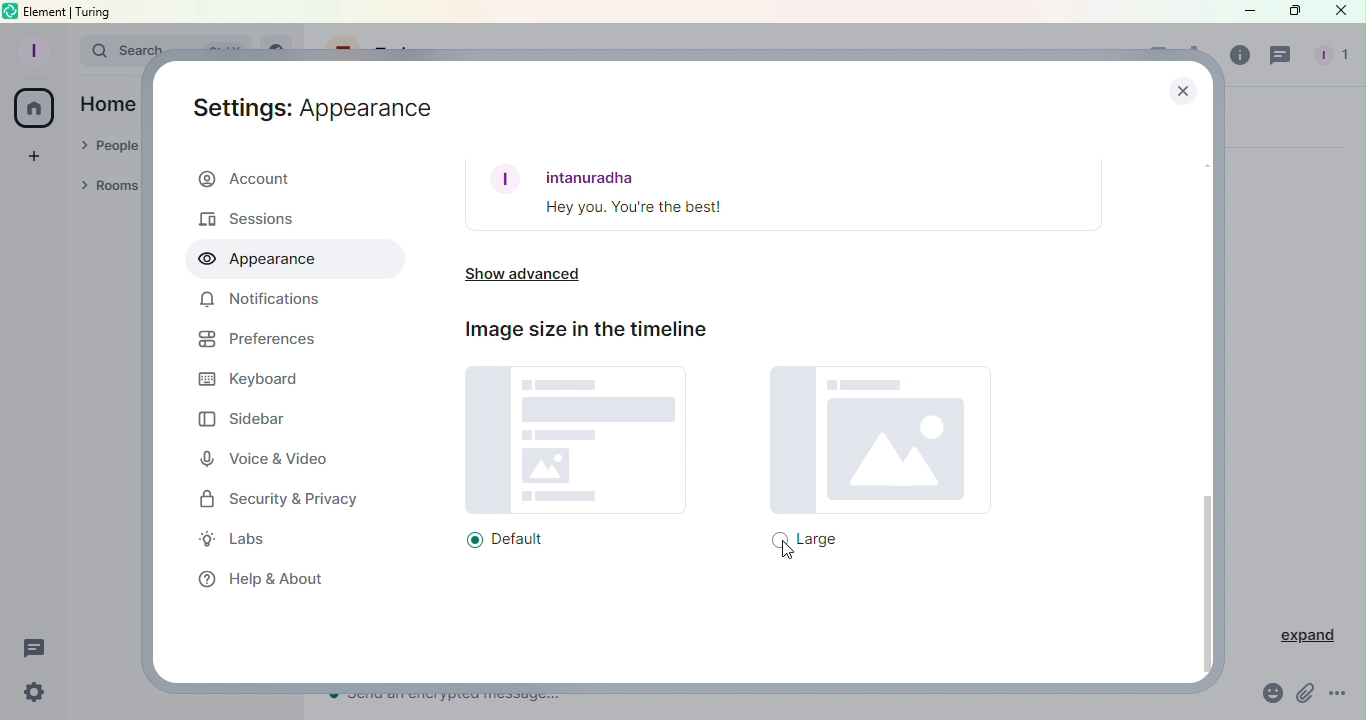 The image size is (1366, 720). Describe the element at coordinates (261, 303) in the screenshot. I see `Notifications` at that location.